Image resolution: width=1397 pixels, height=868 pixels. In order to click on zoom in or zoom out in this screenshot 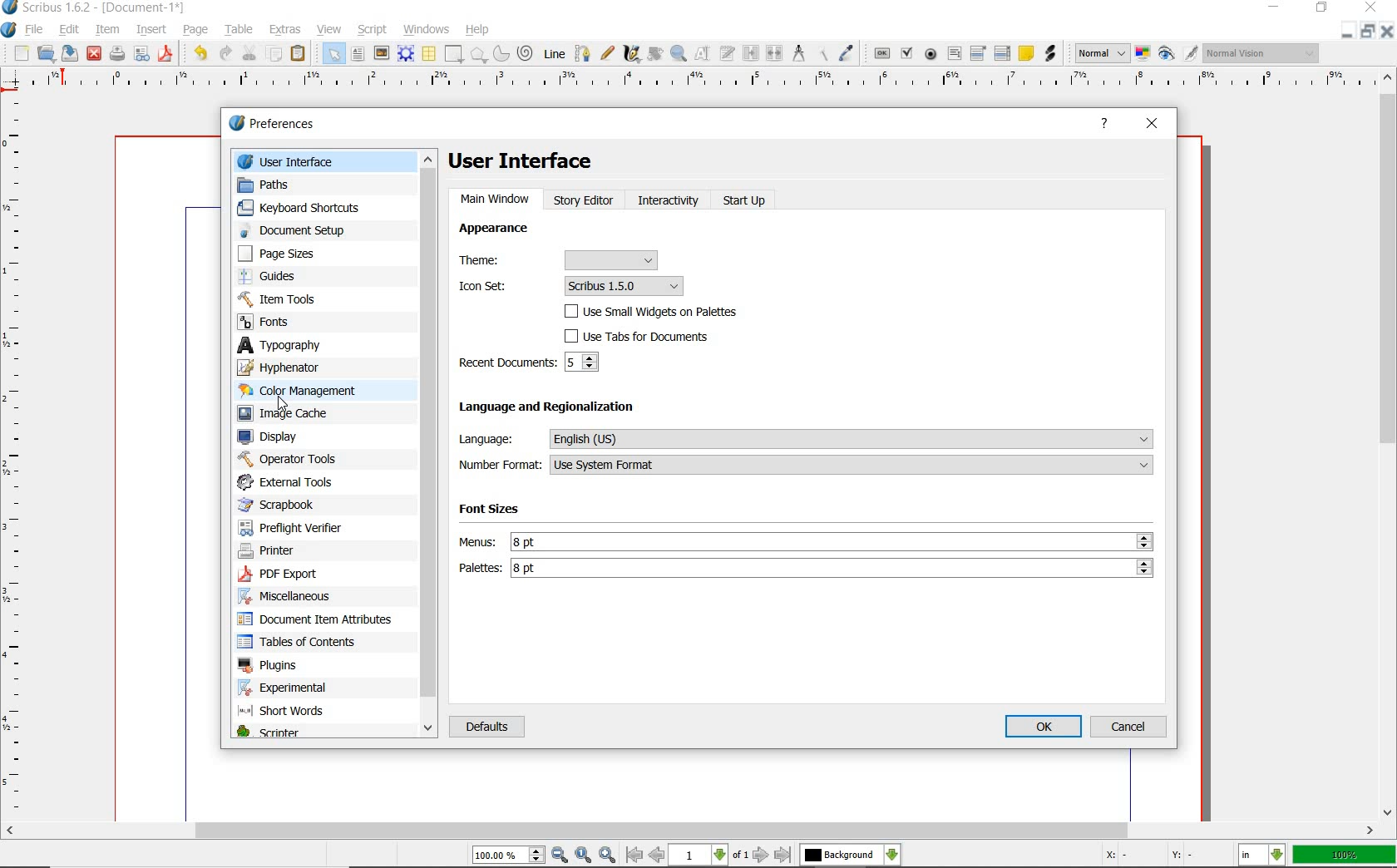, I will do `click(678, 55)`.